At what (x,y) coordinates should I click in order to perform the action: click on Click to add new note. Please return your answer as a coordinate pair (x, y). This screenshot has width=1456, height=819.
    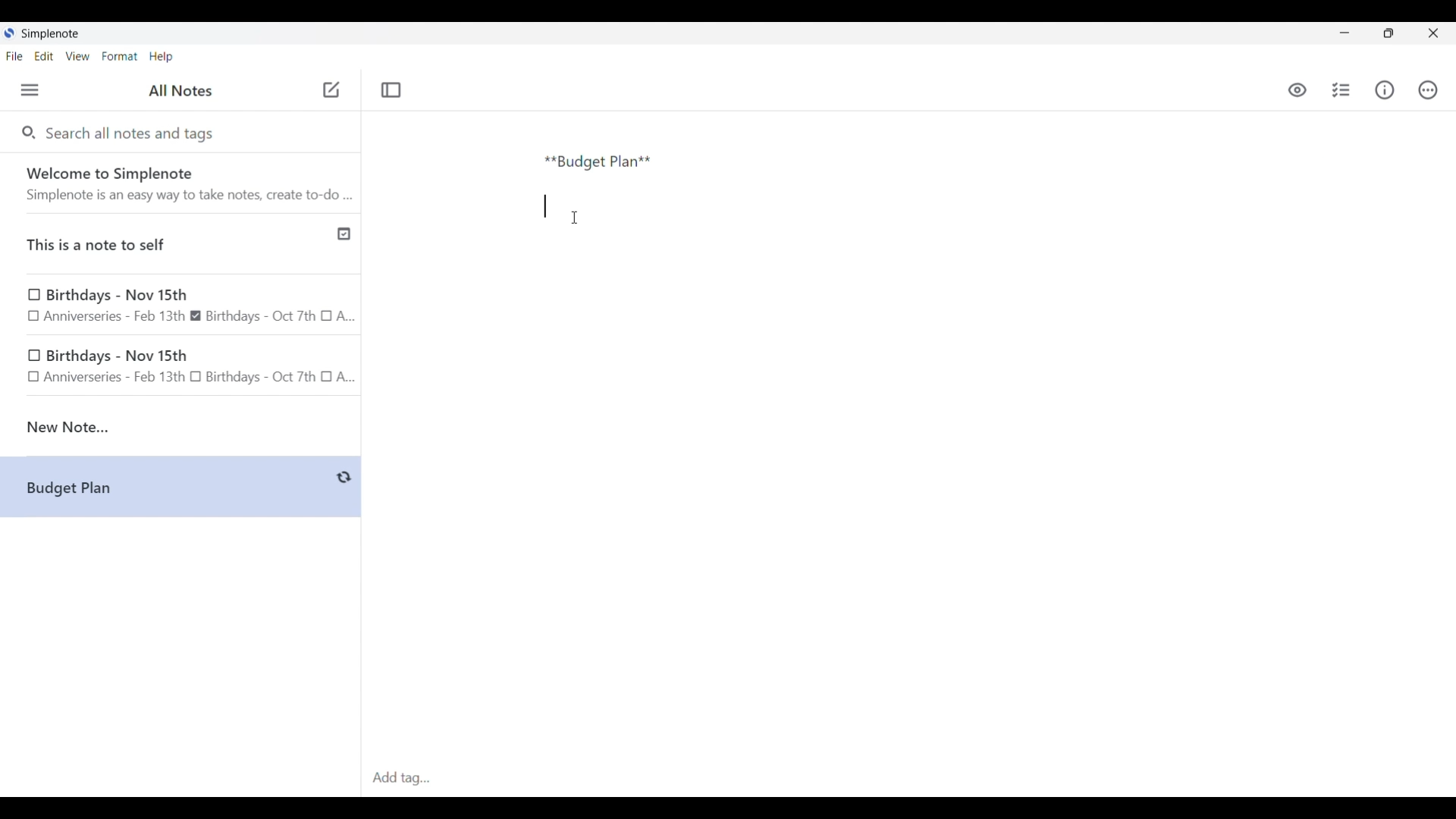
    Looking at the image, I should click on (331, 89).